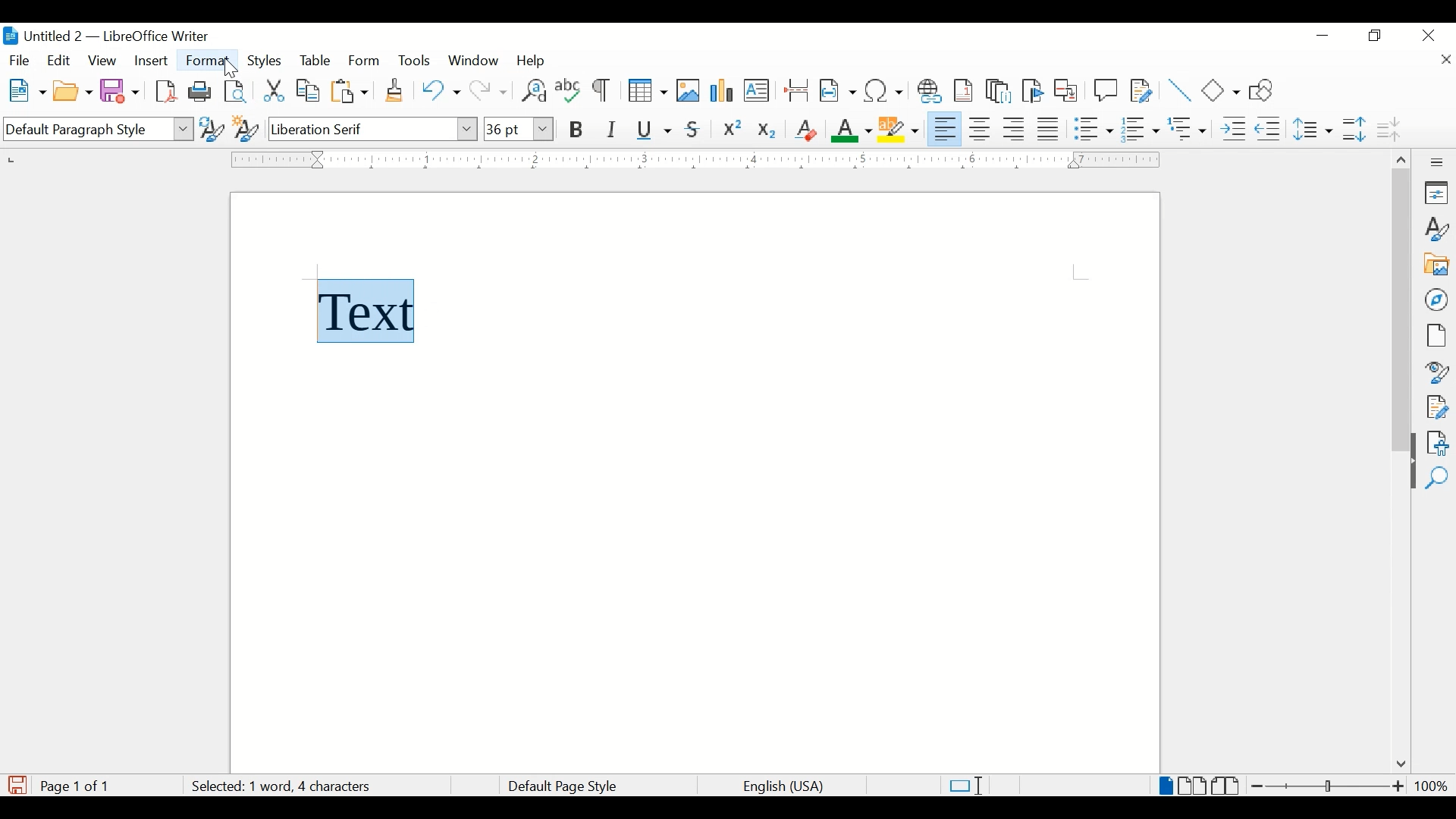 The image size is (1456, 819). I want to click on save document, so click(17, 785).